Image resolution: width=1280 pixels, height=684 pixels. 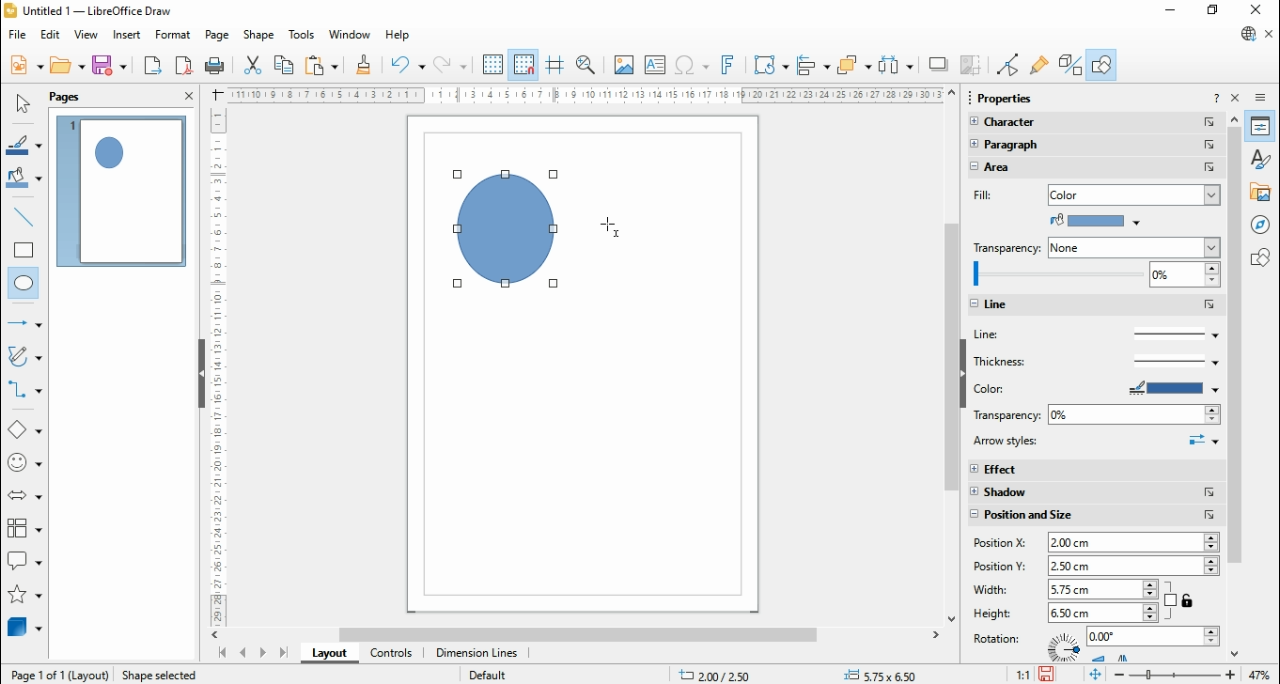 I want to click on open, so click(x=67, y=65).